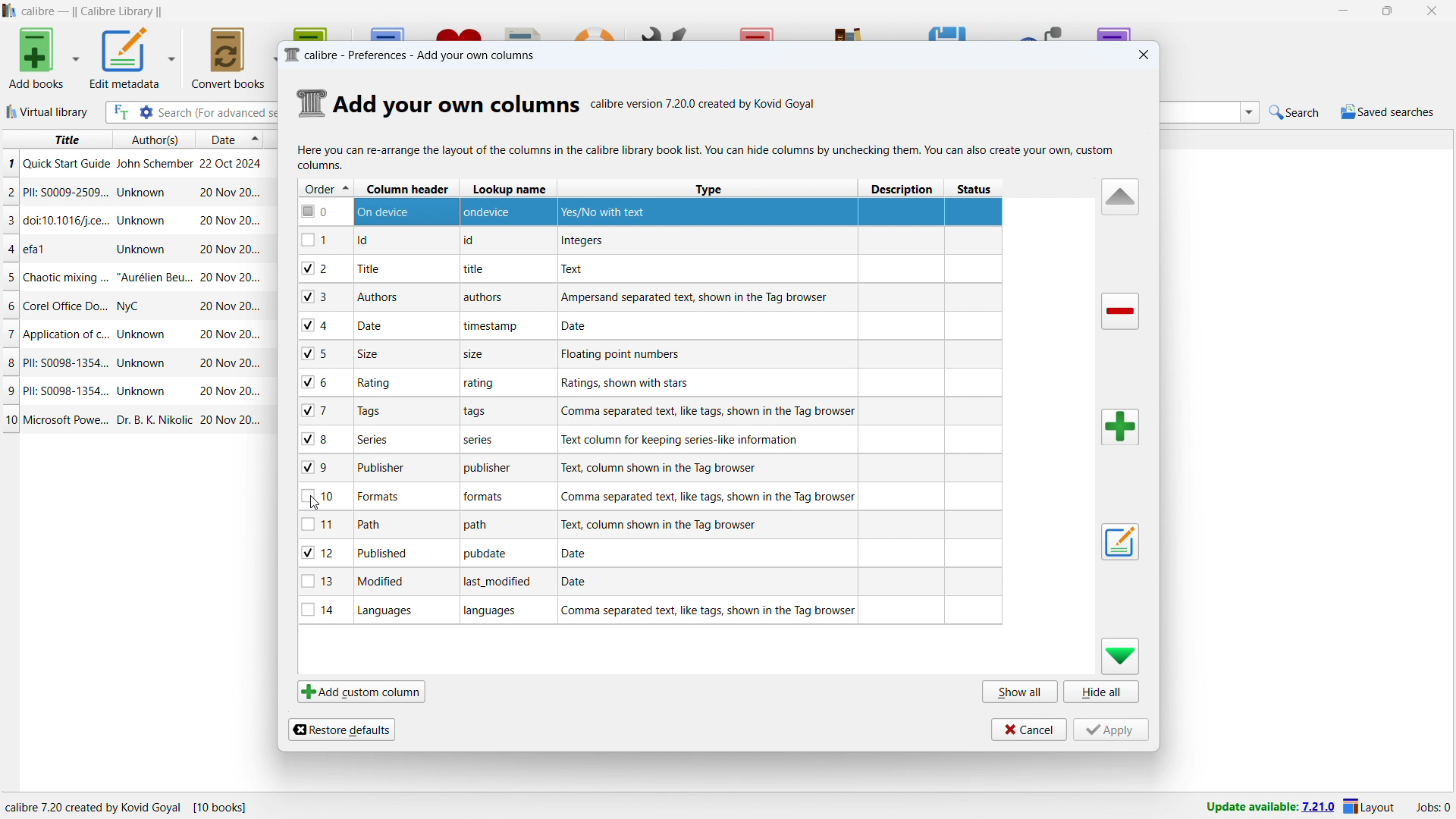 This screenshot has height=819, width=1456. What do you see at coordinates (646, 437) in the screenshot?
I see `ve Series series Text column for keeping series-like information` at bounding box center [646, 437].